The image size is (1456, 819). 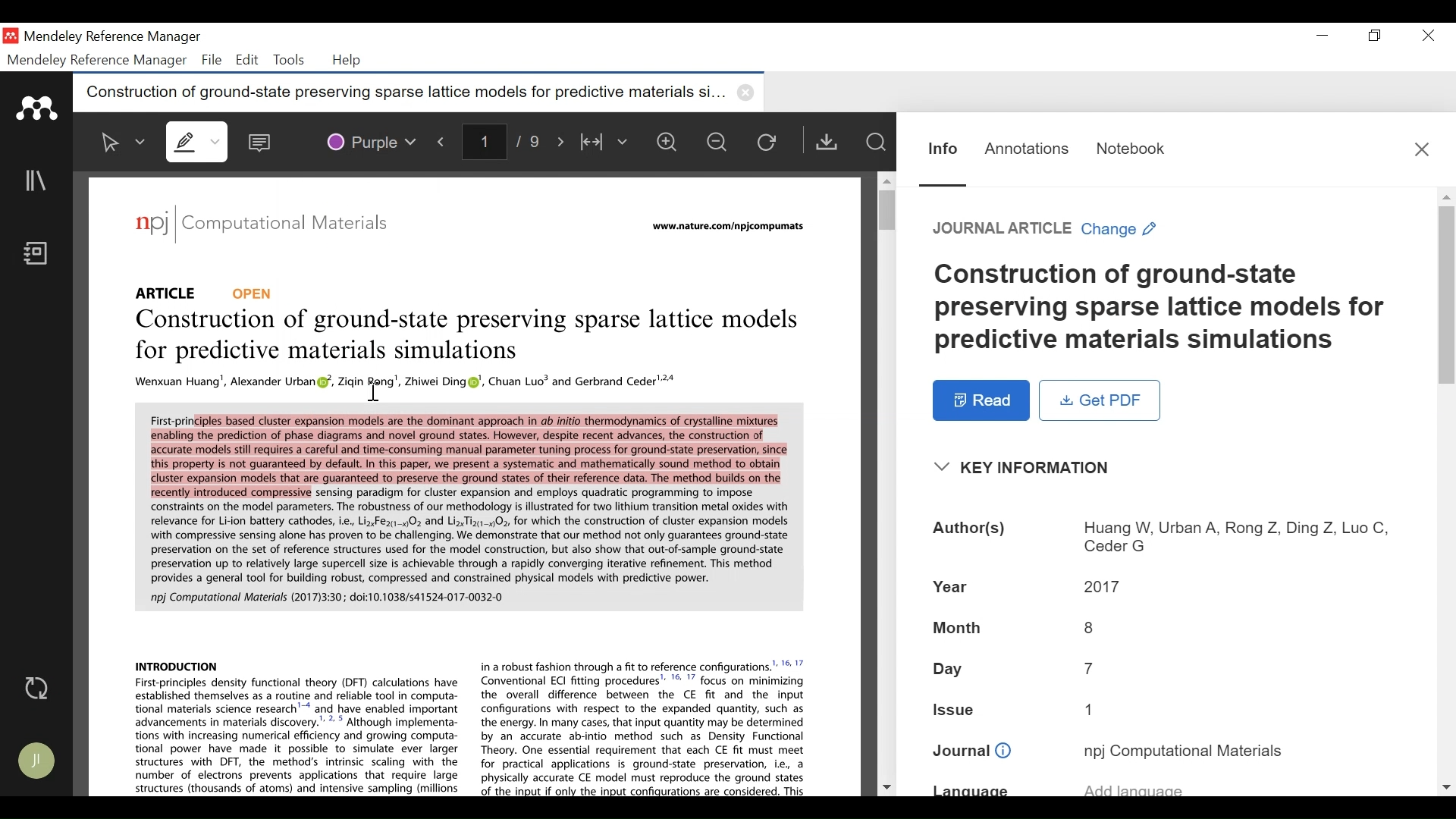 What do you see at coordinates (886, 788) in the screenshot?
I see `Scroll down` at bounding box center [886, 788].